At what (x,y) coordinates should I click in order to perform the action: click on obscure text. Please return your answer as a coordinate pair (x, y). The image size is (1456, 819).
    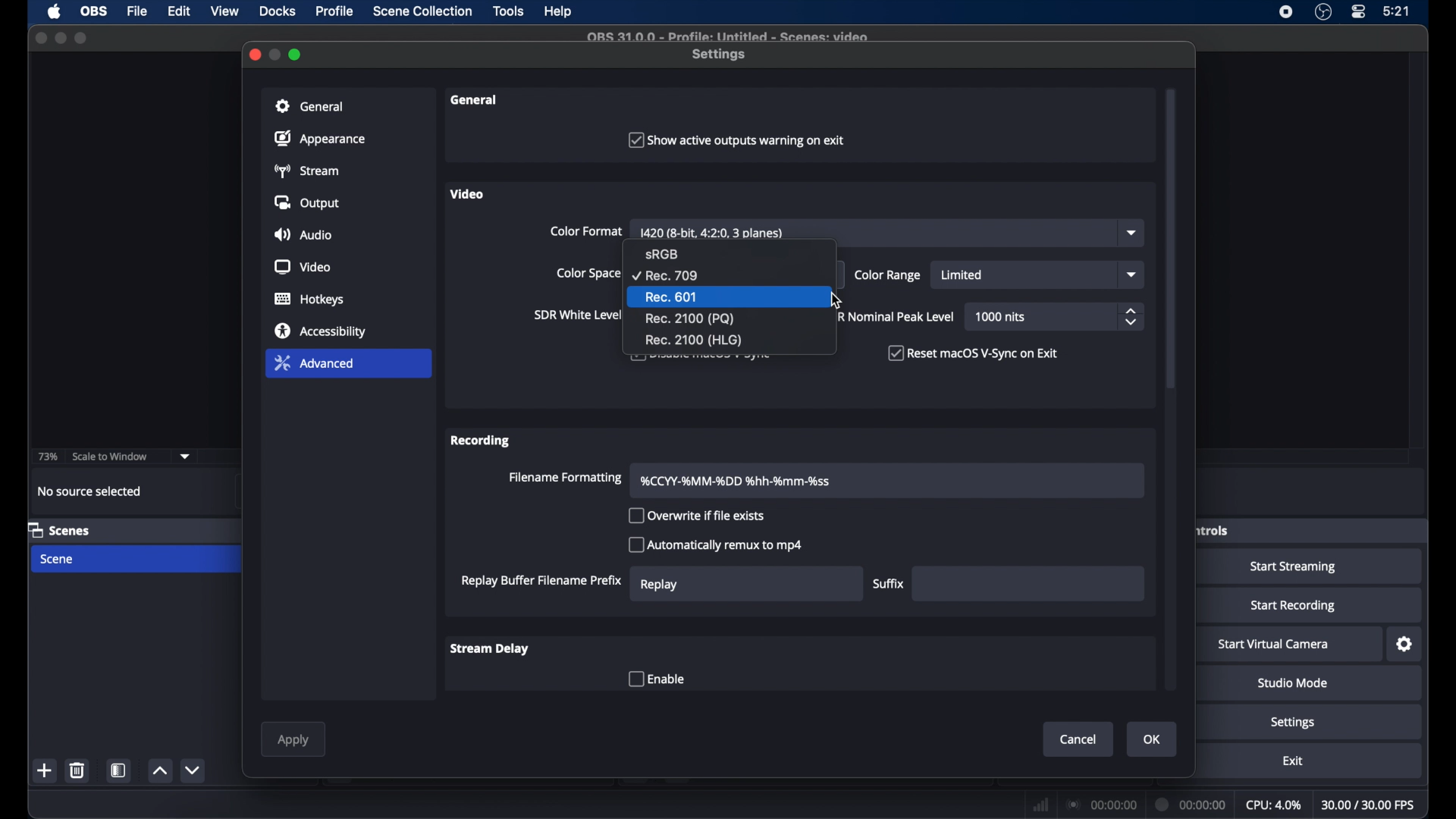
    Looking at the image, I should click on (701, 359).